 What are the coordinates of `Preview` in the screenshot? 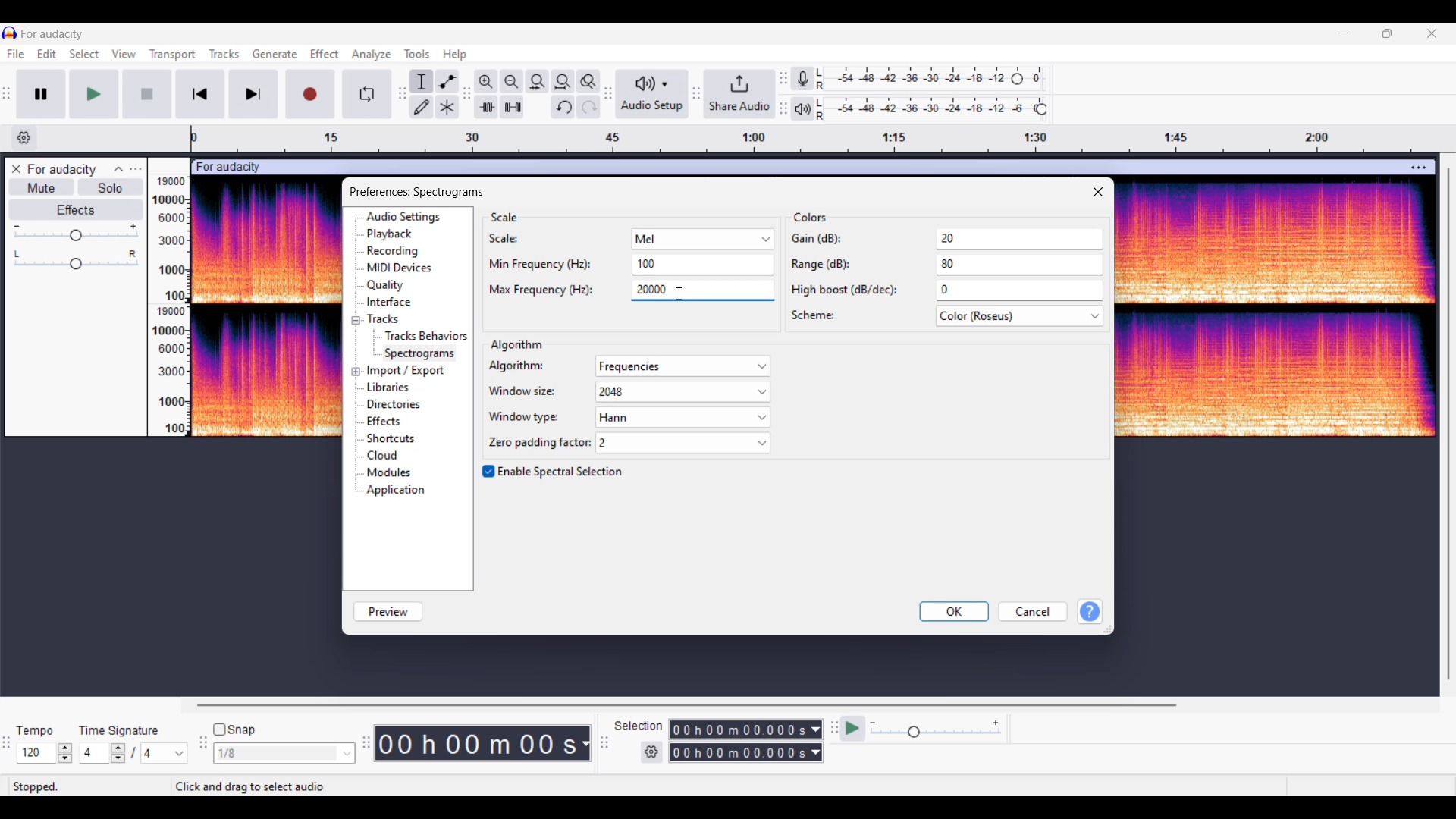 It's located at (388, 612).